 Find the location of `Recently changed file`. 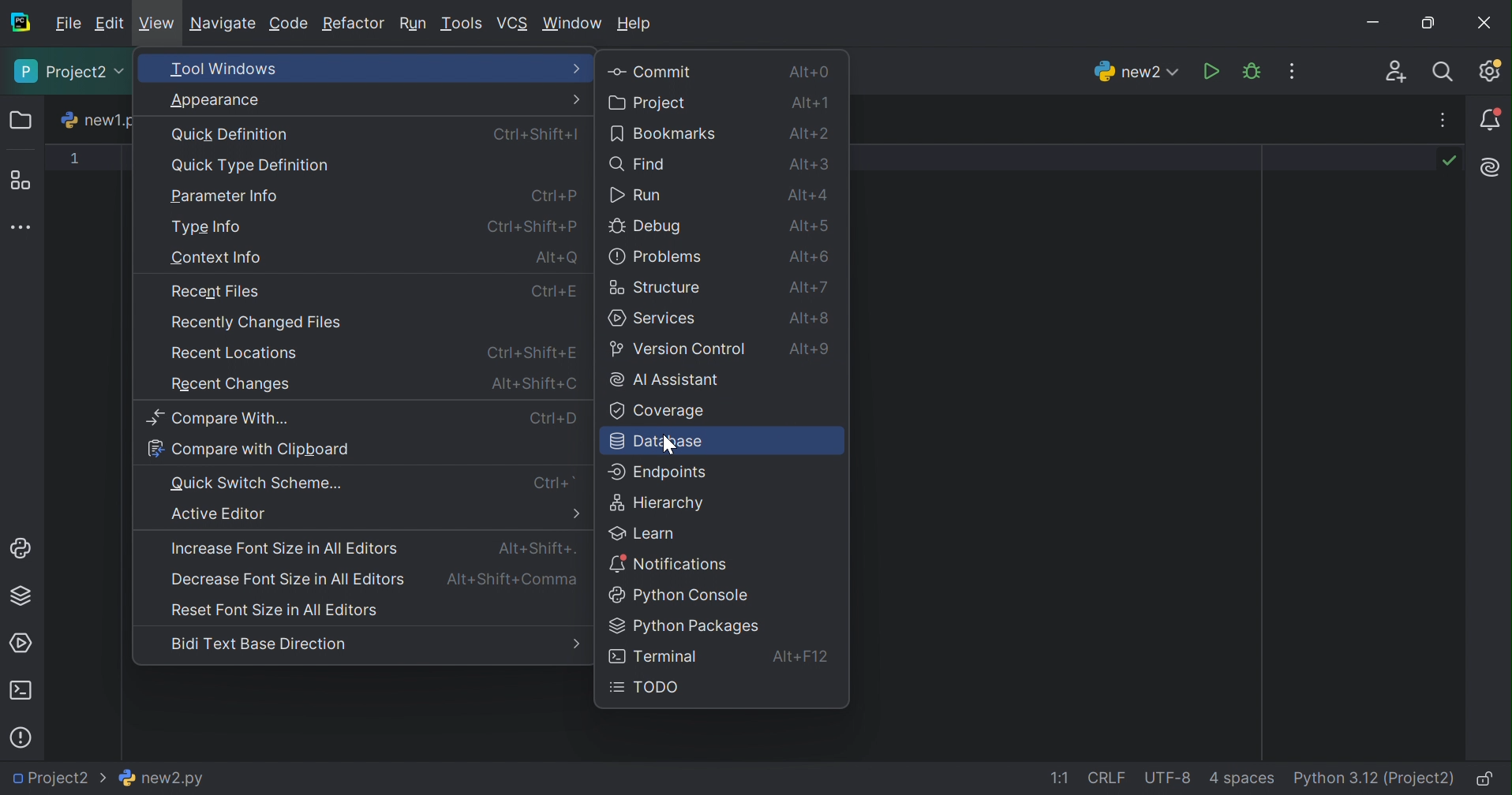

Recently changed file is located at coordinates (254, 323).